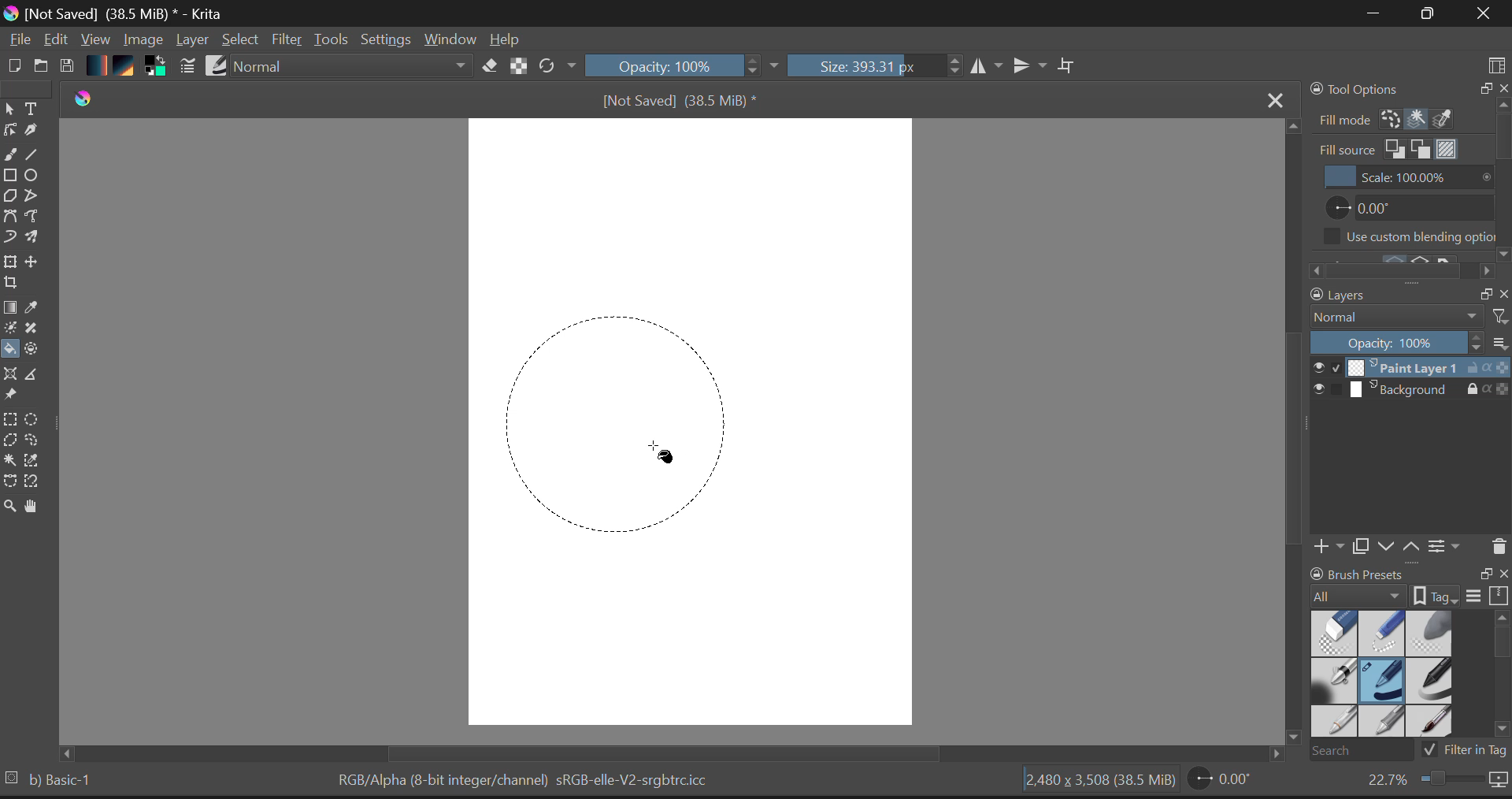 The height and width of the screenshot is (799, 1512). Describe the element at coordinates (37, 483) in the screenshot. I see `Magnetic Selection` at that location.